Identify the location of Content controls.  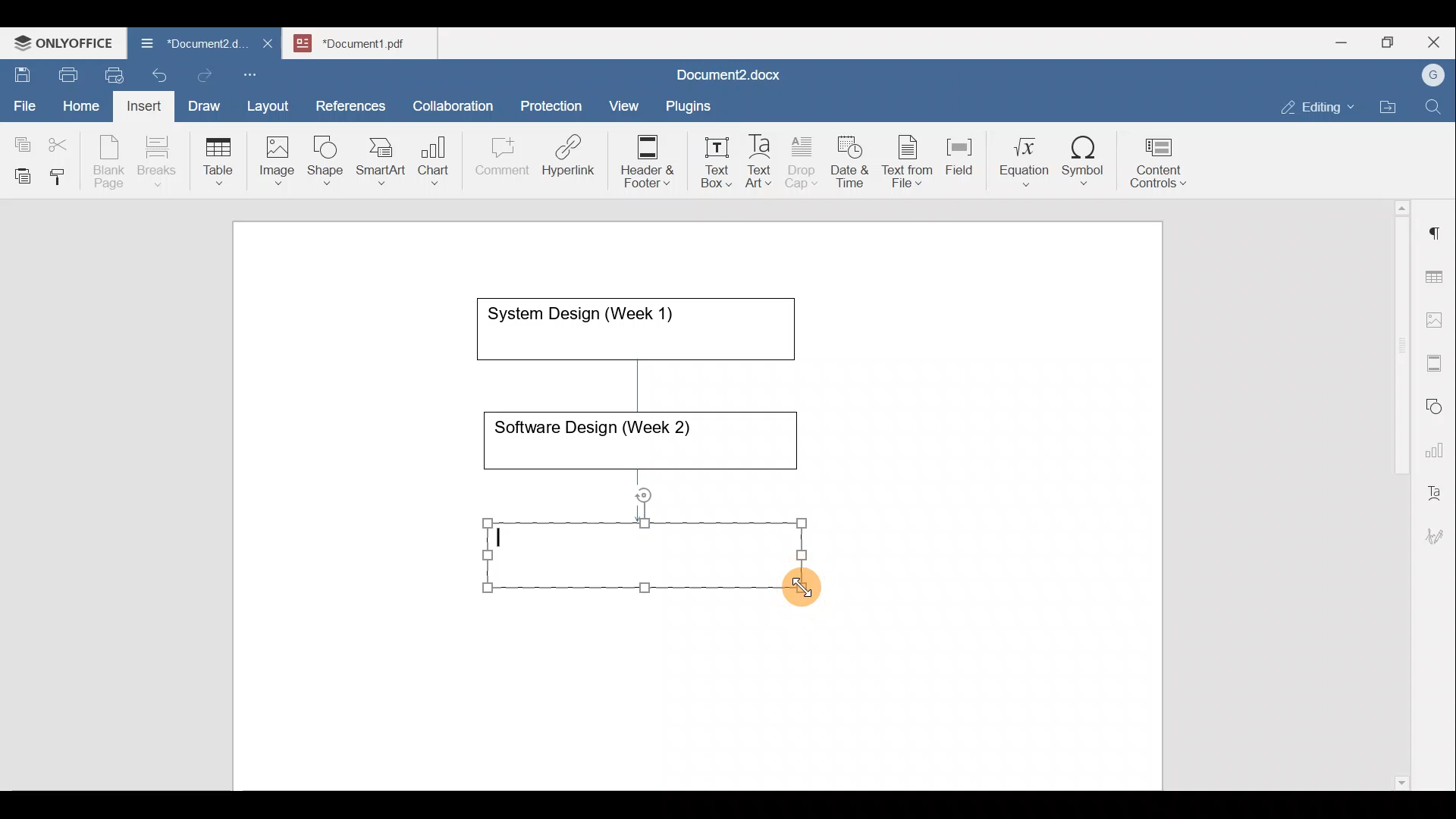
(1161, 168).